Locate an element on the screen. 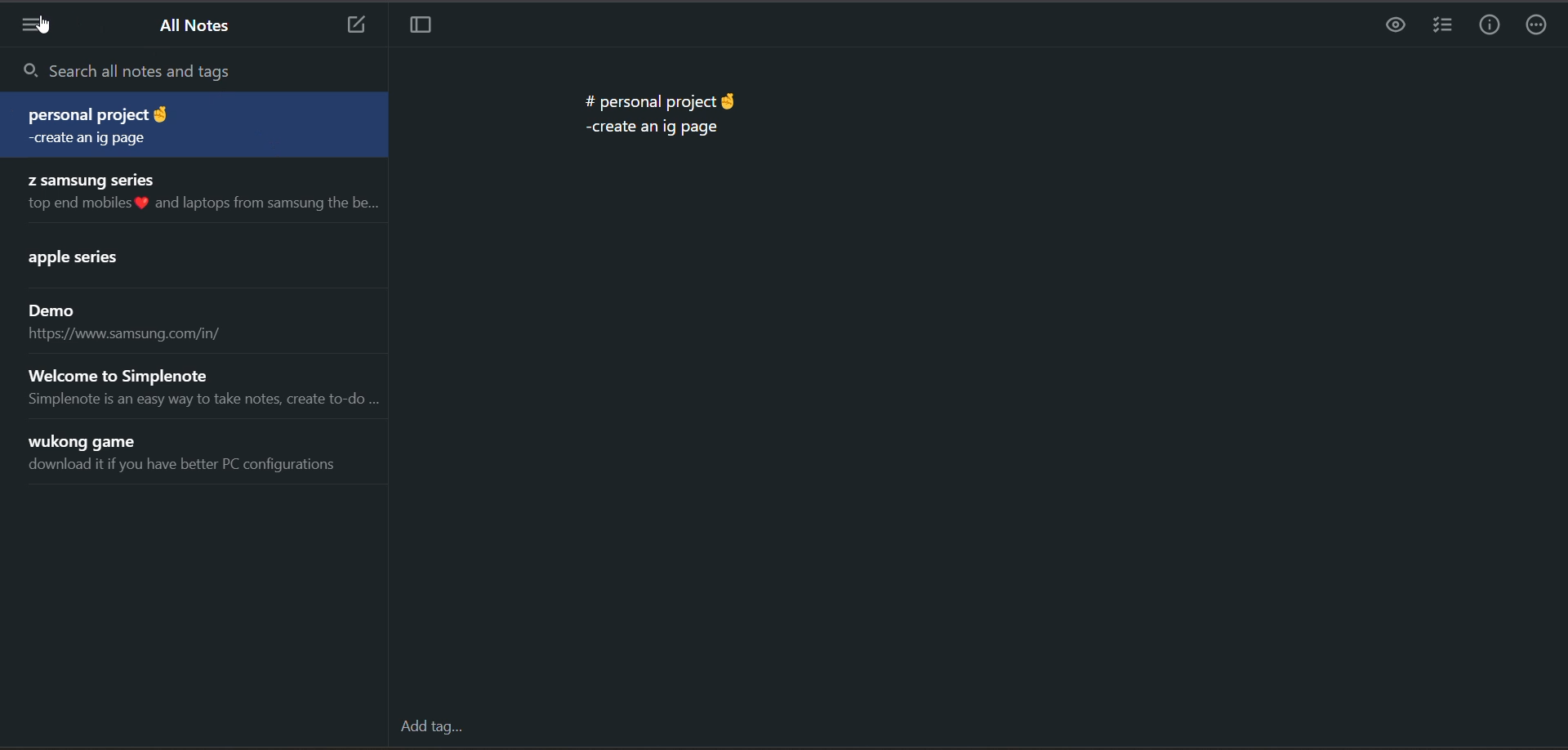 The image size is (1568, 750). note title and preview is located at coordinates (206, 386).